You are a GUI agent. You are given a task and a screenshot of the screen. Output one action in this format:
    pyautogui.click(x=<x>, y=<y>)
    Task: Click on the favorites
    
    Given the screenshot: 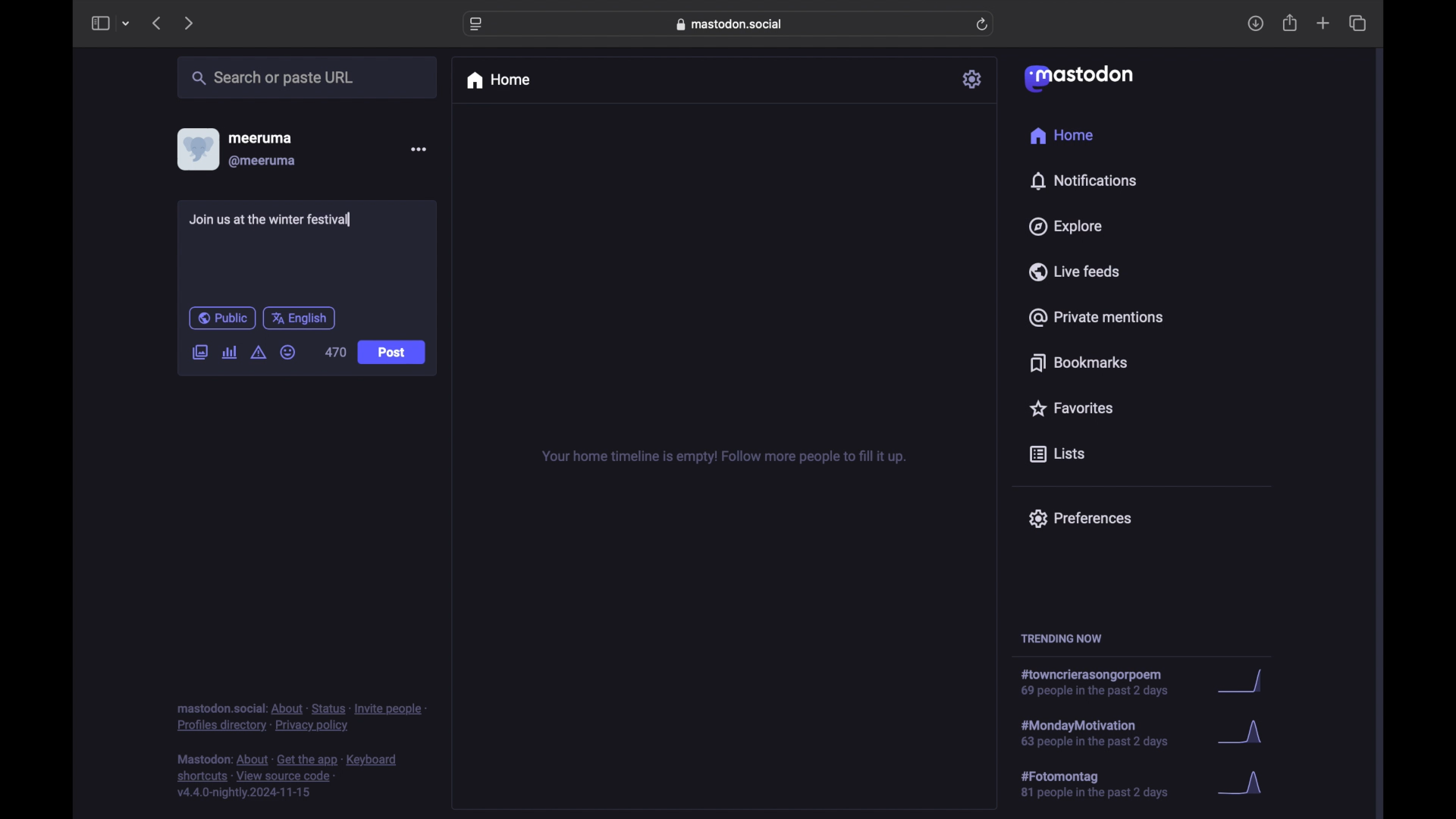 What is the action you would take?
    pyautogui.click(x=1070, y=408)
    